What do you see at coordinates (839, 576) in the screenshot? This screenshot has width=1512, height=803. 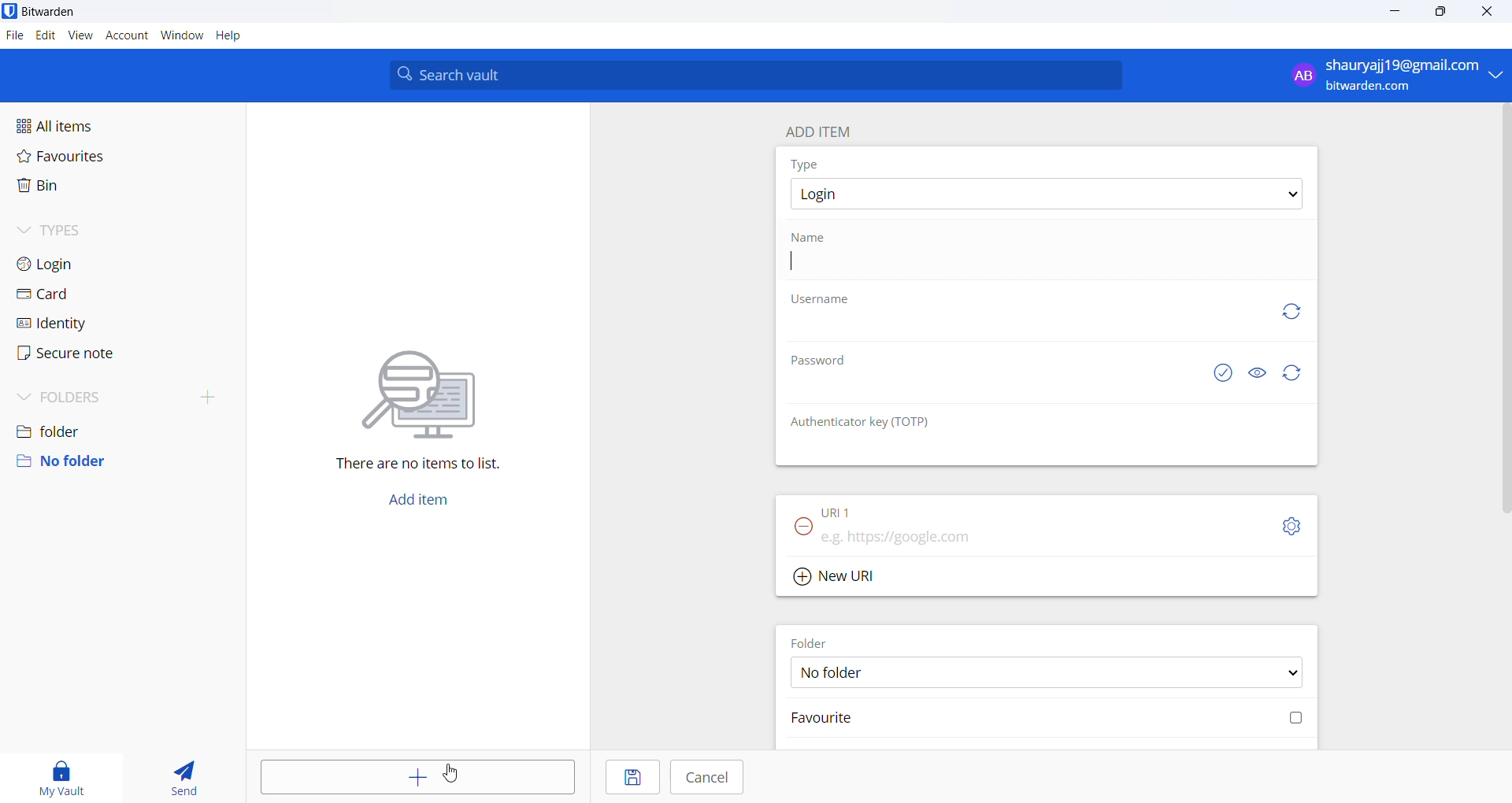 I see `Add new URL` at bounding box center [839, 576].